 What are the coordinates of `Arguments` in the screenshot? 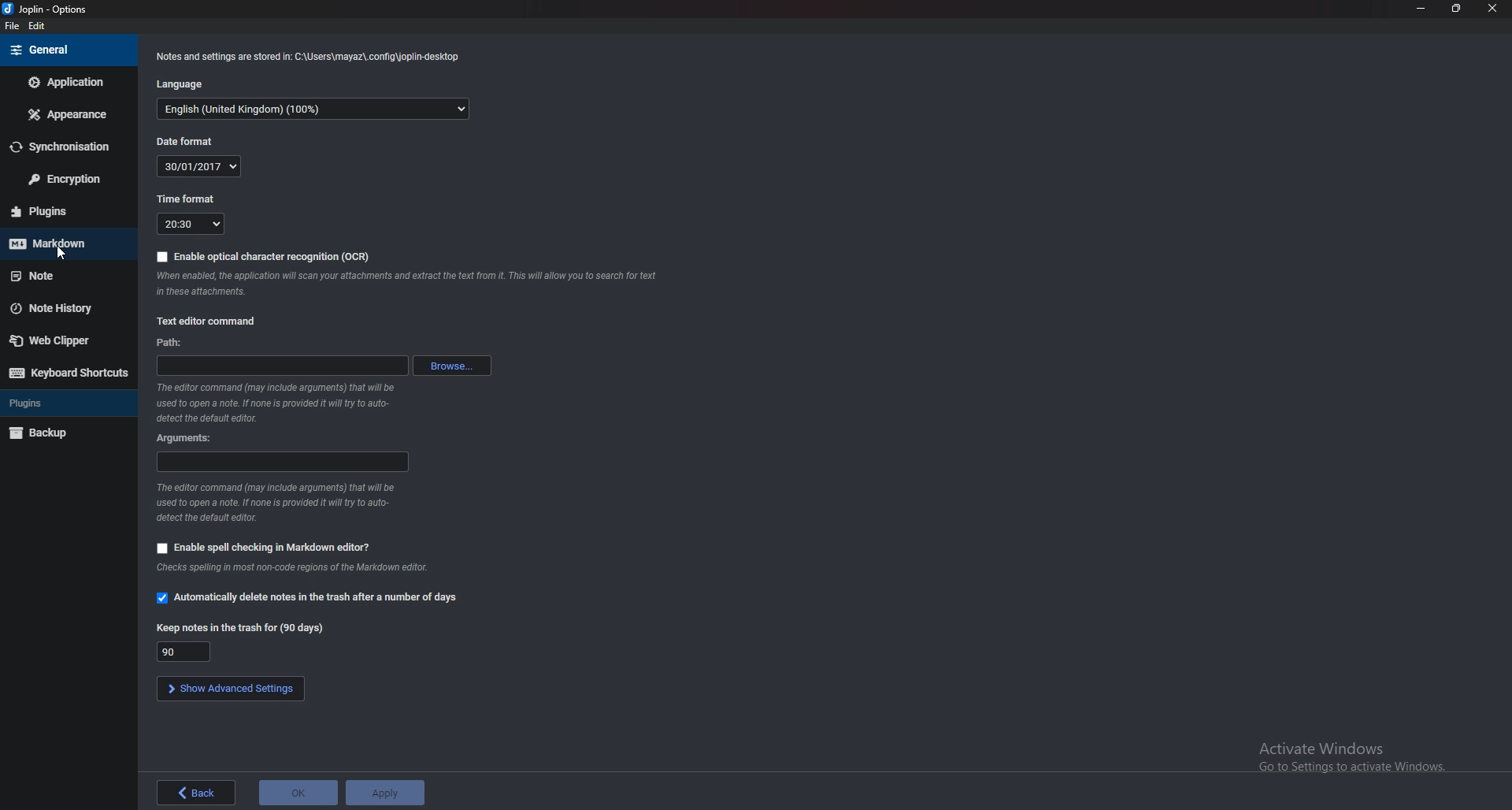 It's located at (184, 438).